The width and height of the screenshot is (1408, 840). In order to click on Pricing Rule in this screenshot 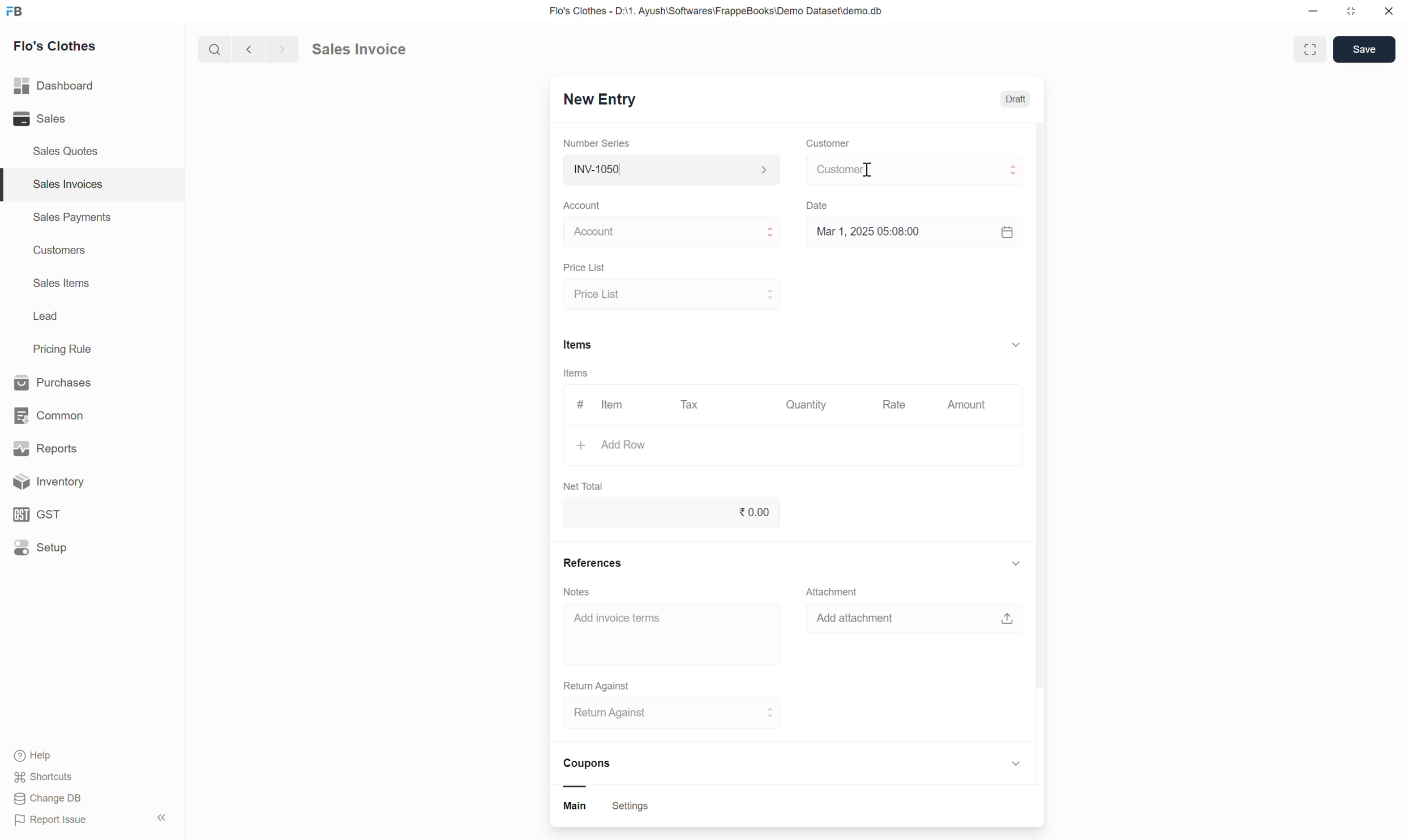, I will do `click(64, 349)`.